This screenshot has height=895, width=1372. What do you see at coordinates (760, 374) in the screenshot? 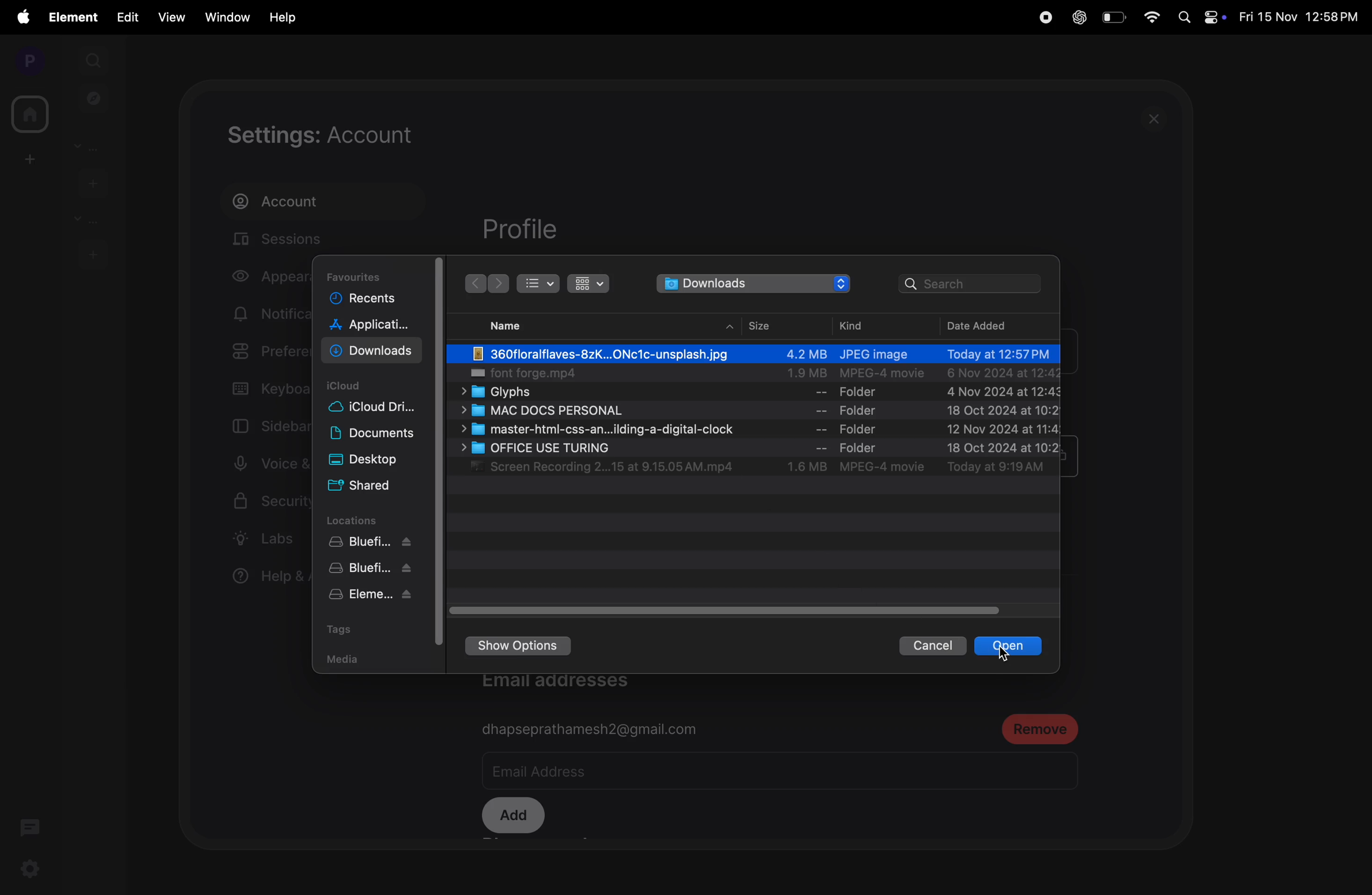
I see `font forge` at bounding box center [760, 374].